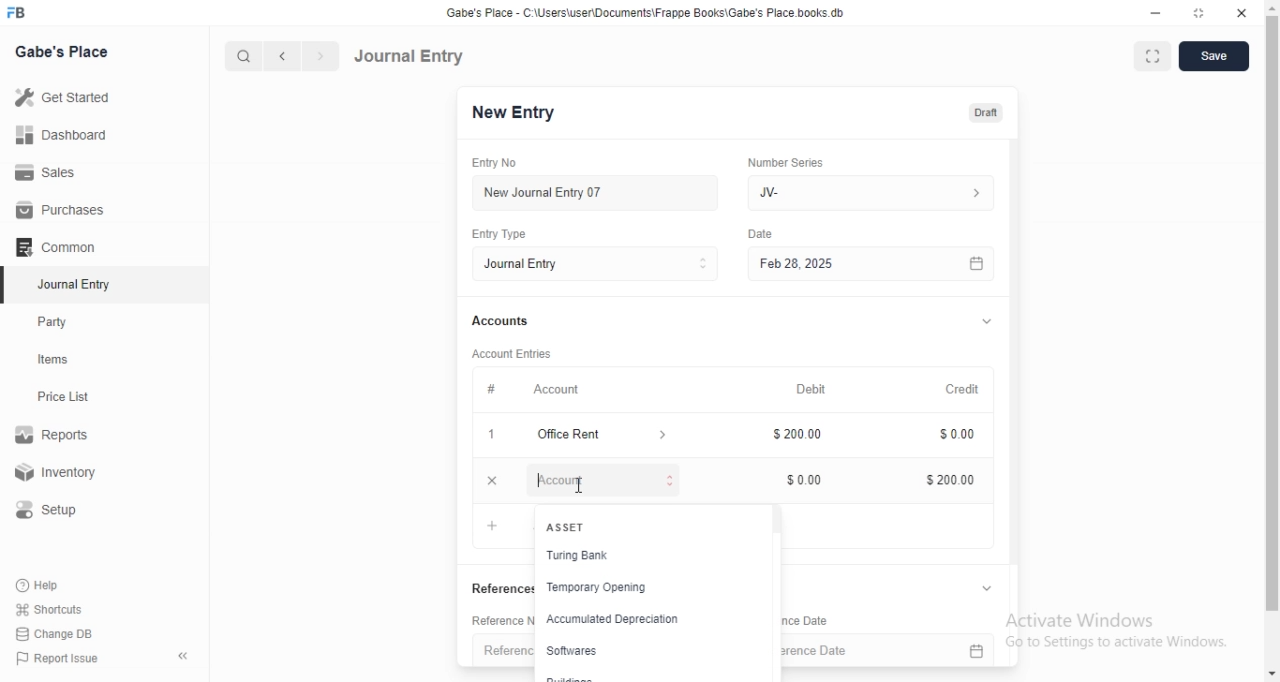 This screenshot has height=682, width=1280. Describe the element at coordinates (994, 318) in the screenshot. I see `v` at that location.